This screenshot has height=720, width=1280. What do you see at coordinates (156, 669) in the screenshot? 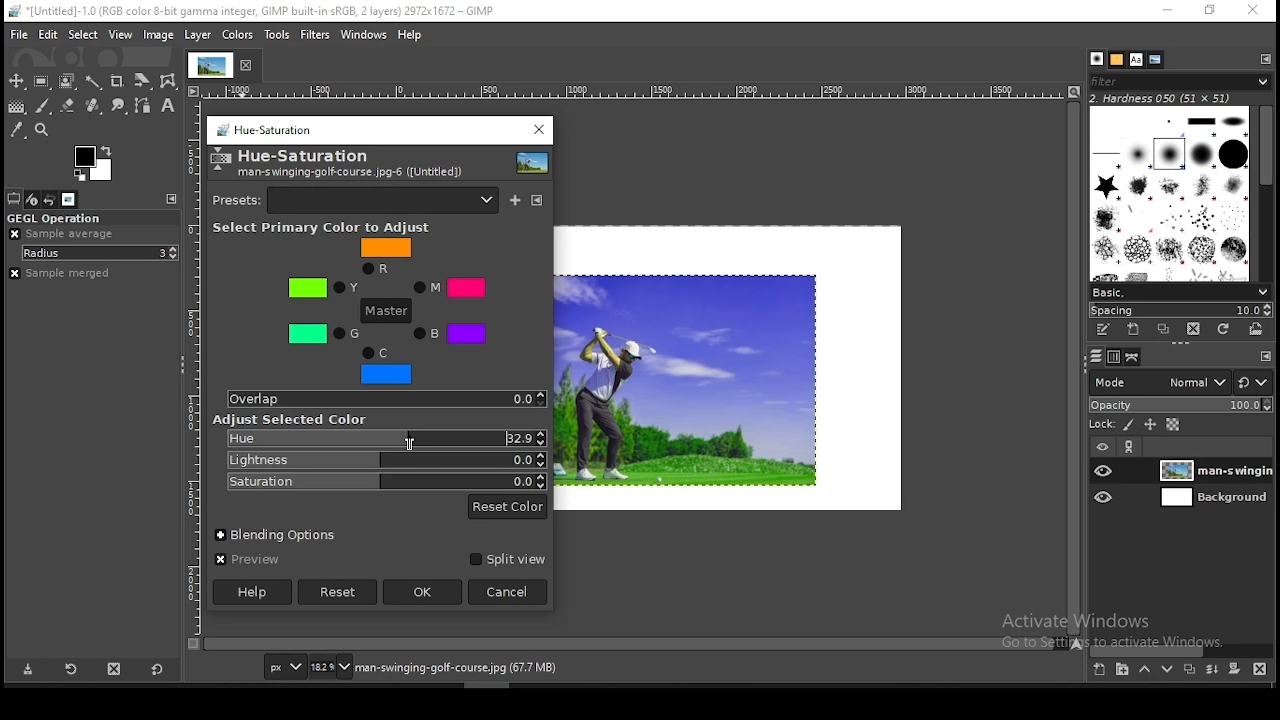
I see `restore to defaults` at bounding box center [156, 669].